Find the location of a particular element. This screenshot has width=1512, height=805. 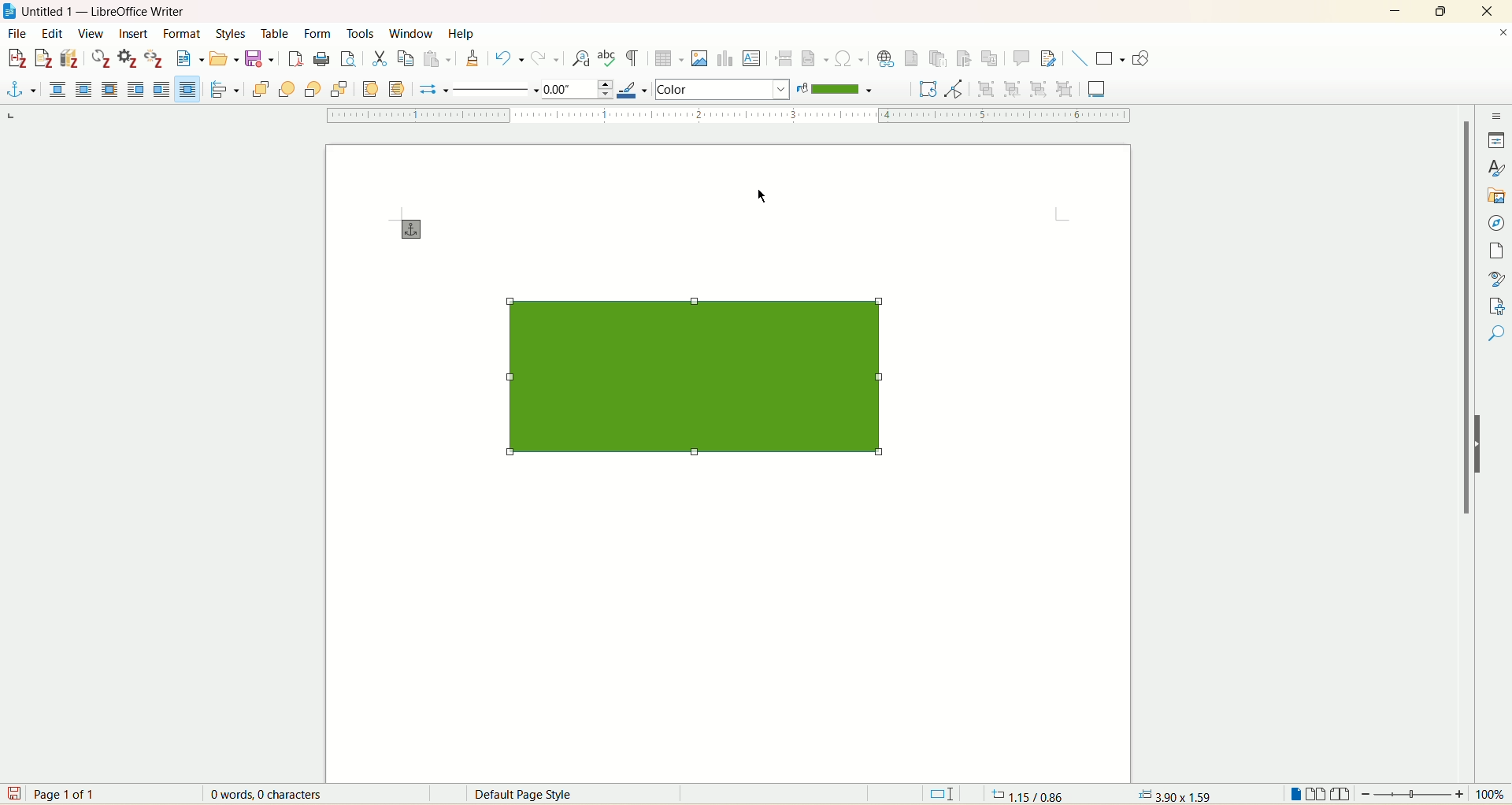

shape color change is located at coordinates (694, 379).